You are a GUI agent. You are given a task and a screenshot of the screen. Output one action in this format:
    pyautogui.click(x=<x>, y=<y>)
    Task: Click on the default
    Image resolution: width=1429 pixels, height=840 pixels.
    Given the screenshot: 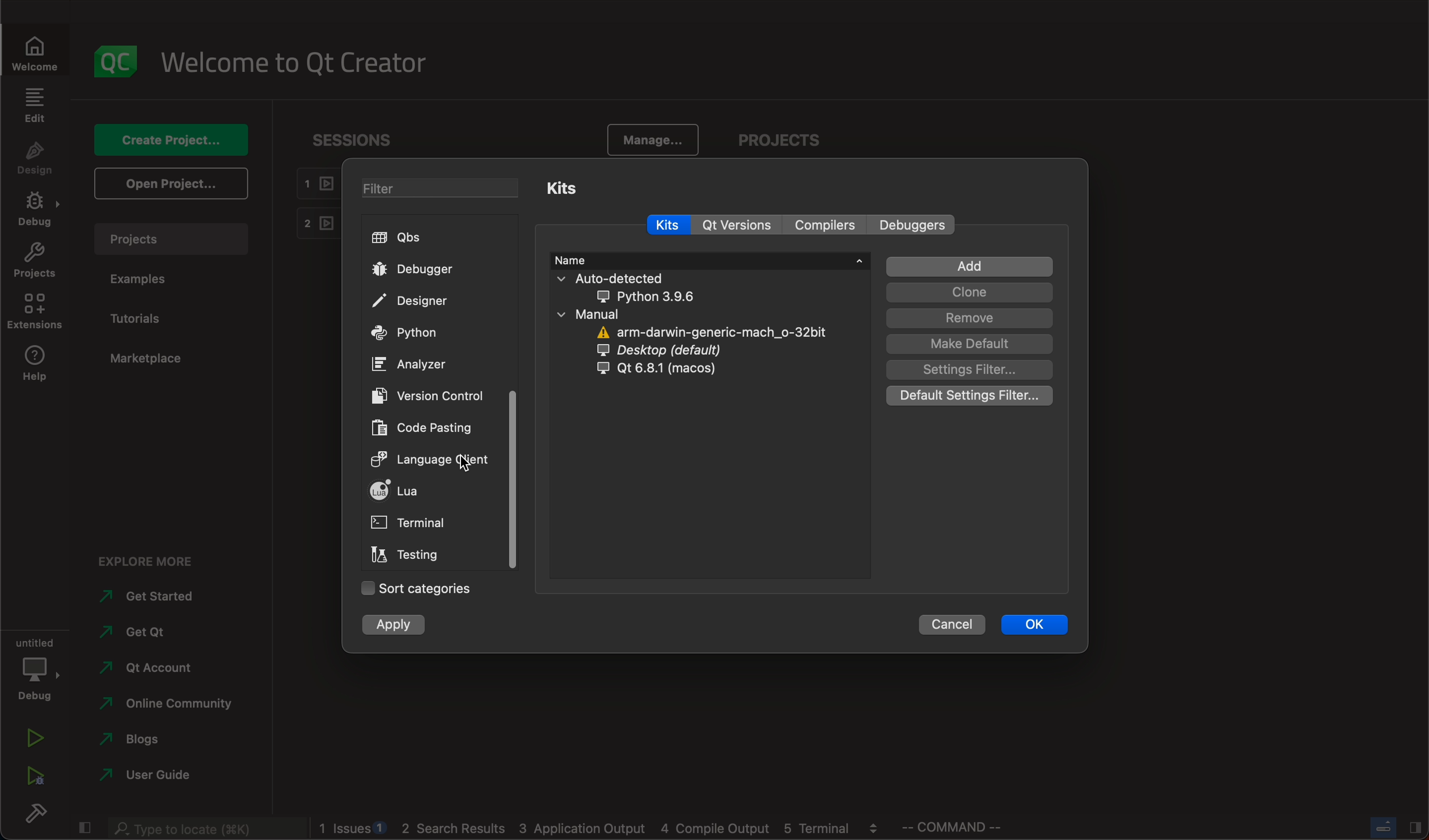 What is the action you would take?
    pyautogui.click(x=970, y=344)
    